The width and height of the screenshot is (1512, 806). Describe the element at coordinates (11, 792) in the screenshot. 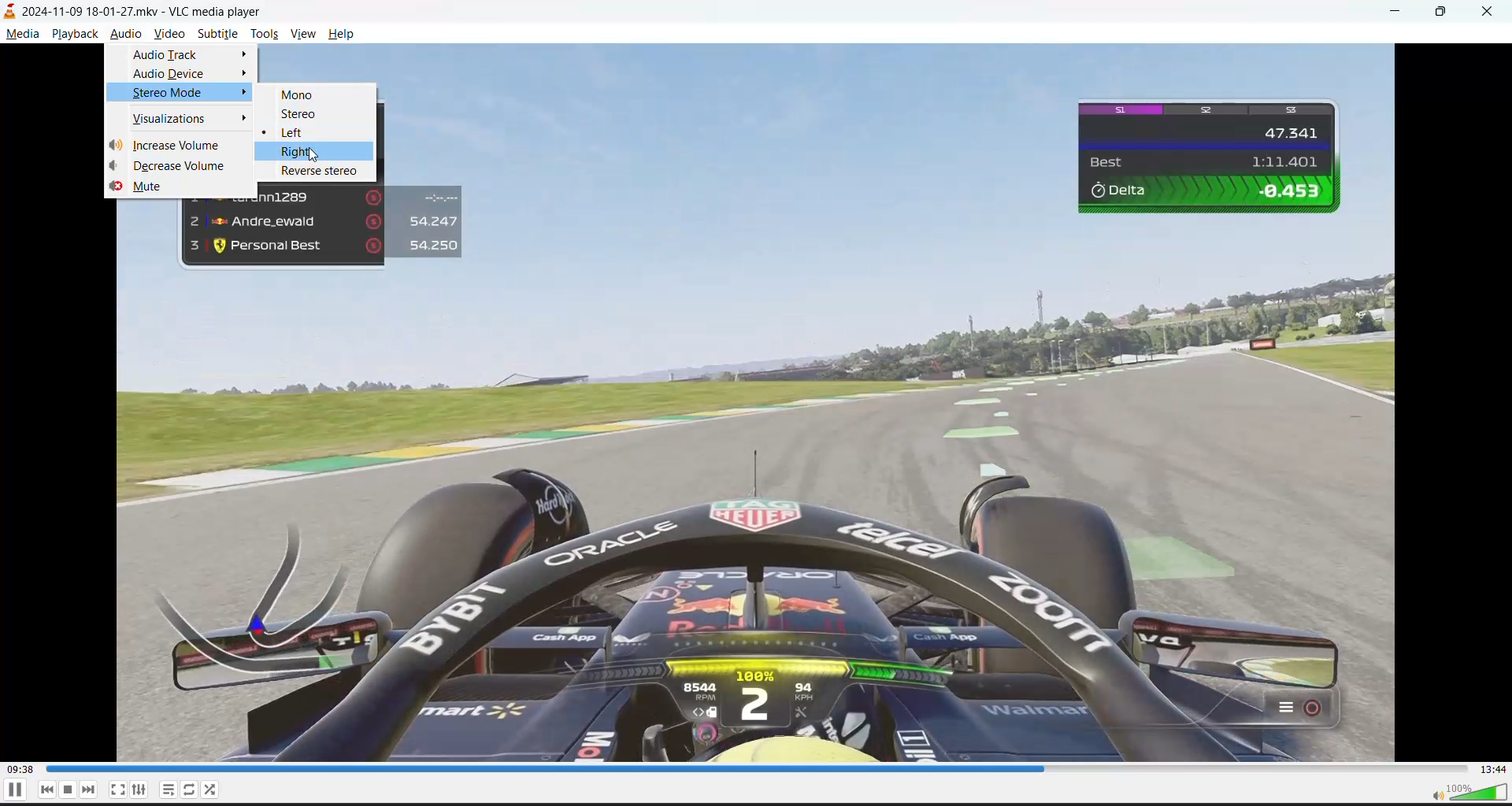

I see `pause` at that location.